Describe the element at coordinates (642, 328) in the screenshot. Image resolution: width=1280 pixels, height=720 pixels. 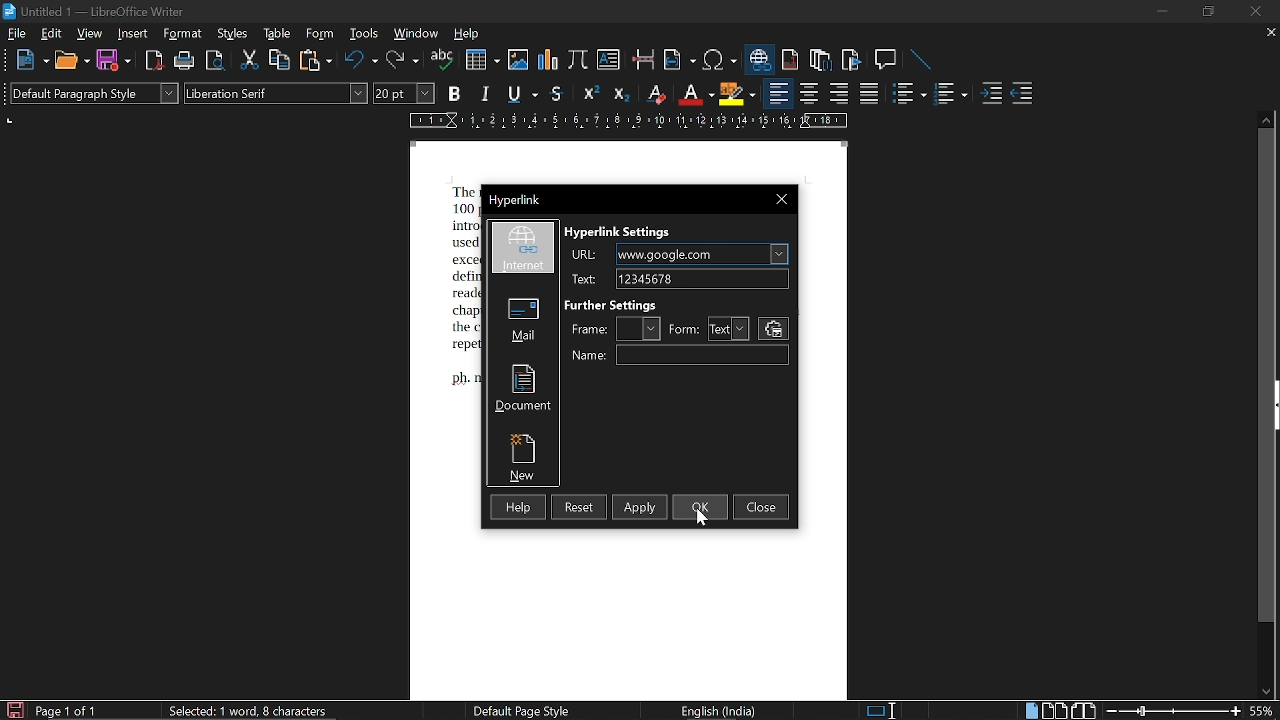
I see `frame` at that location.